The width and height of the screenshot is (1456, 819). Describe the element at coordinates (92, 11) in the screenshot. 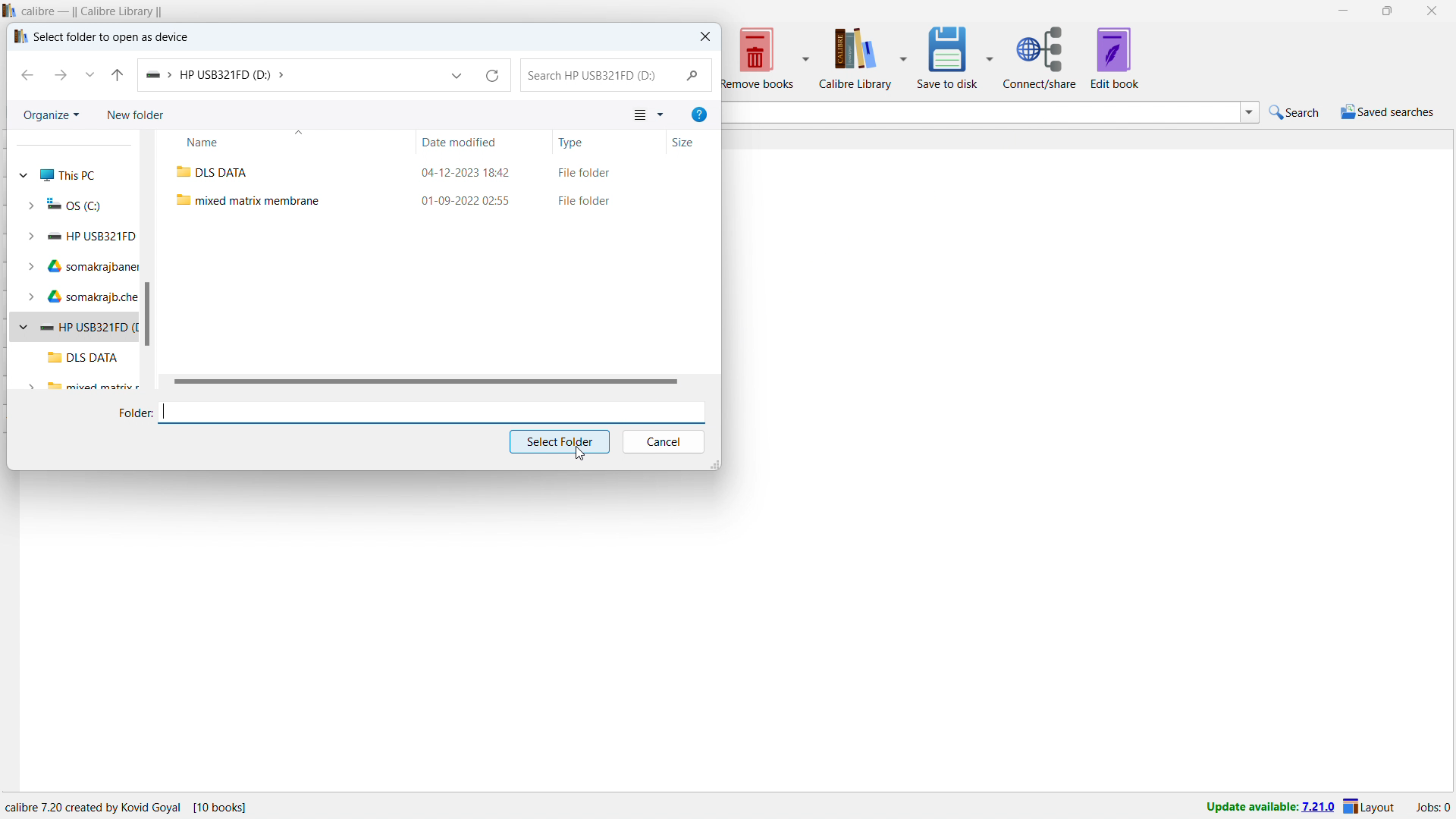

I see `title` at that location.